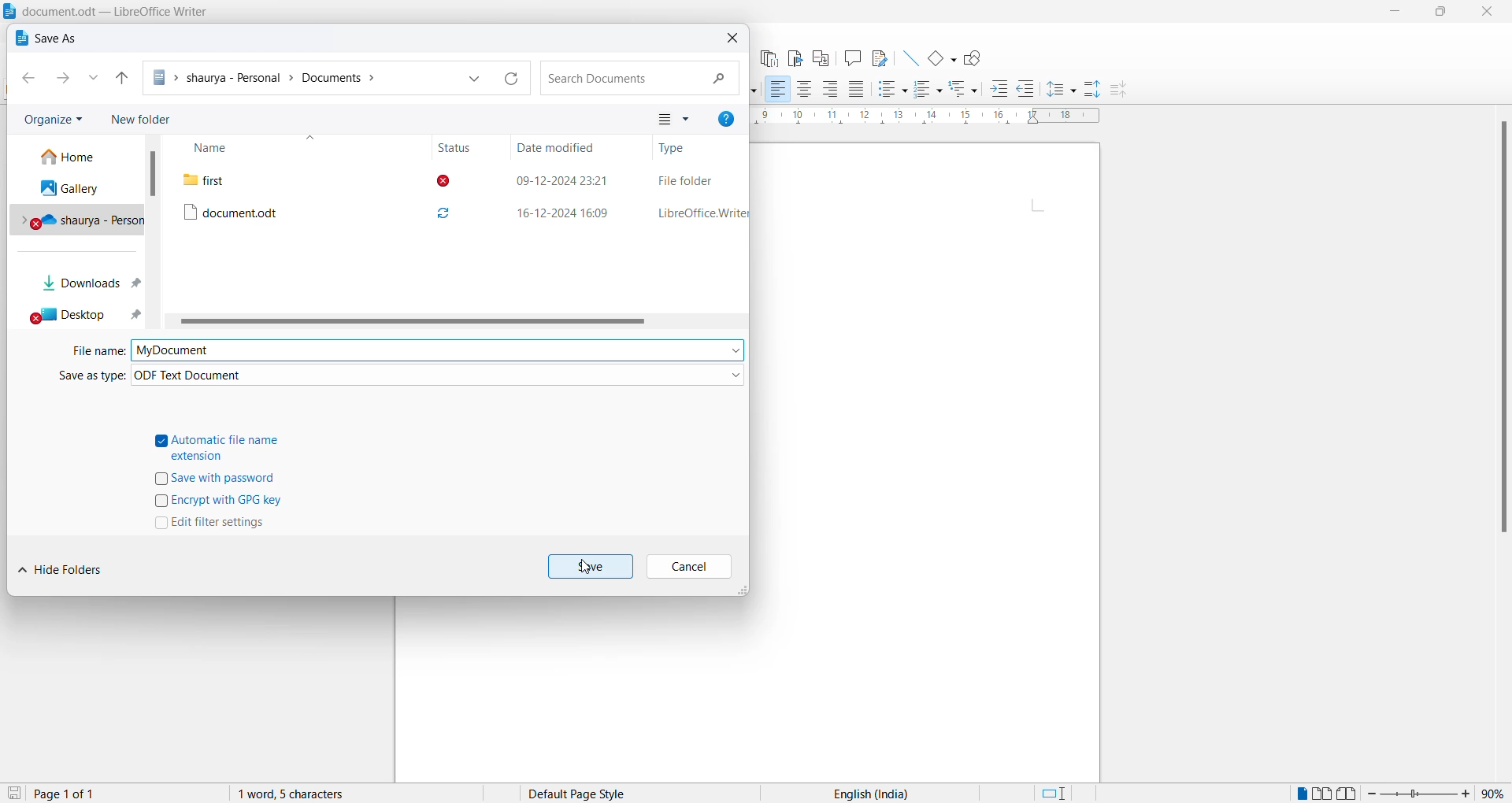 This screenshot has height=803, width=1512. I want to click on Selected pages style, so click(590, 794).